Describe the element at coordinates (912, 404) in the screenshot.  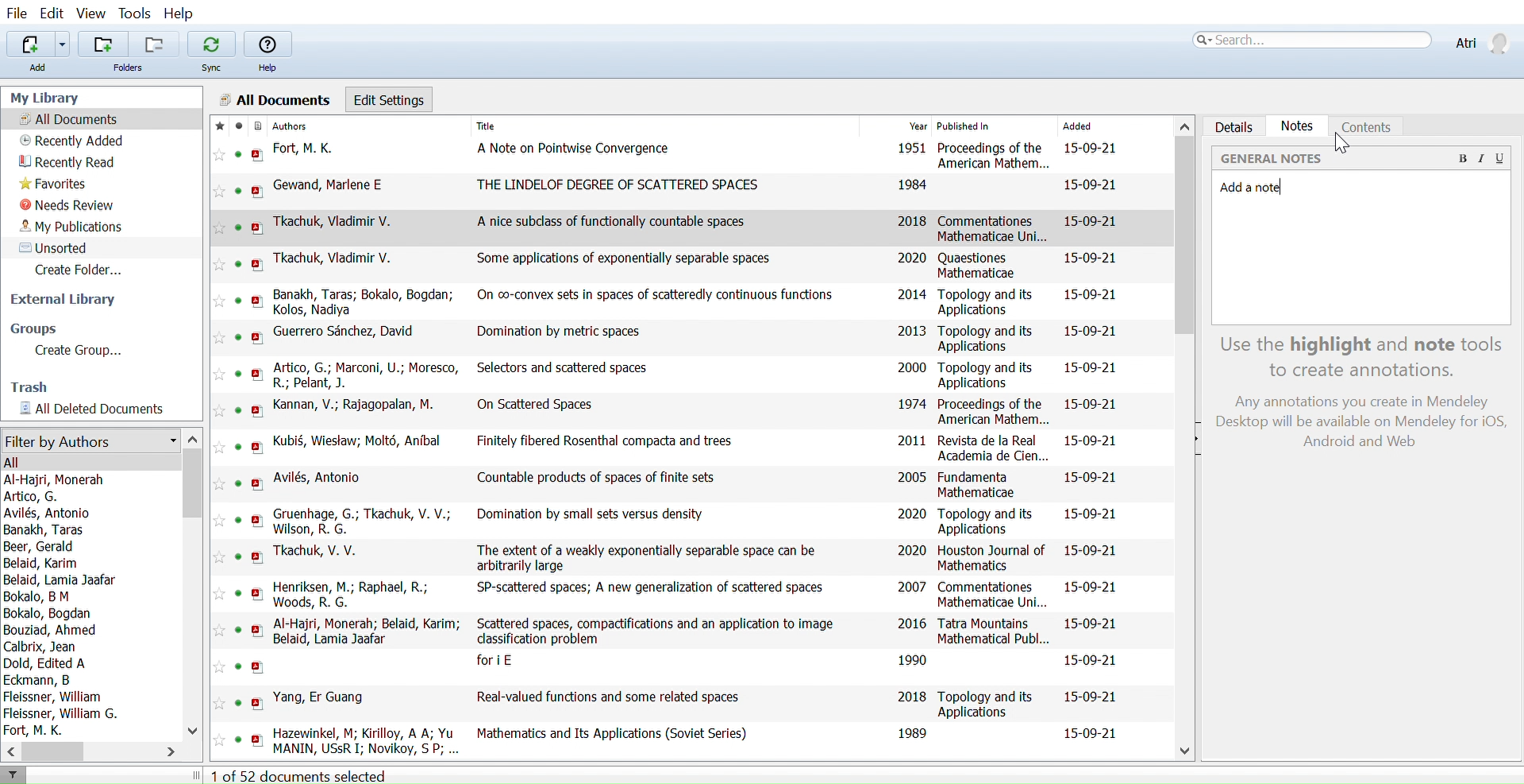
I see `1974` at that location.